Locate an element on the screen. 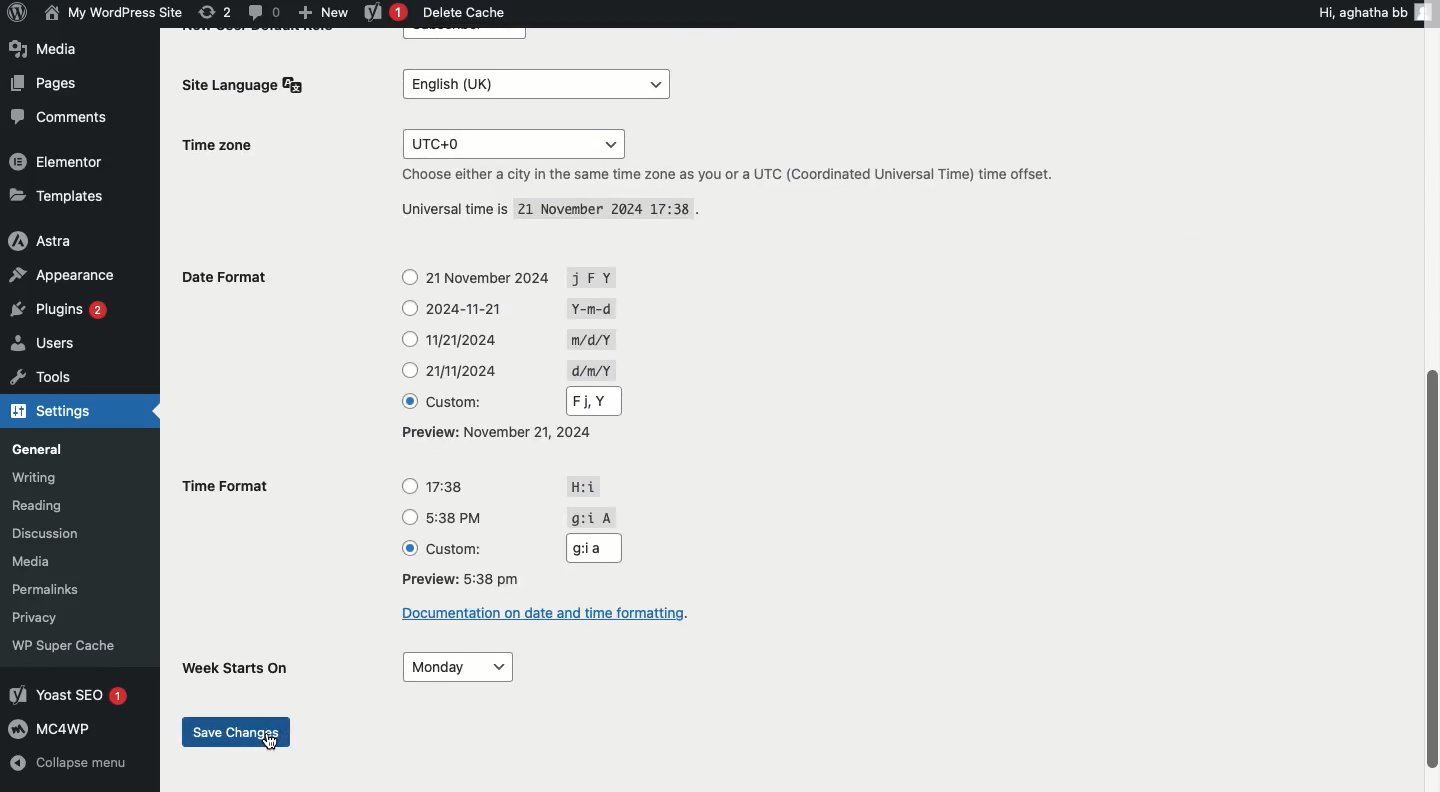 This screenshot has width=1440, height=792. Media is located at coordinates (47, 48).